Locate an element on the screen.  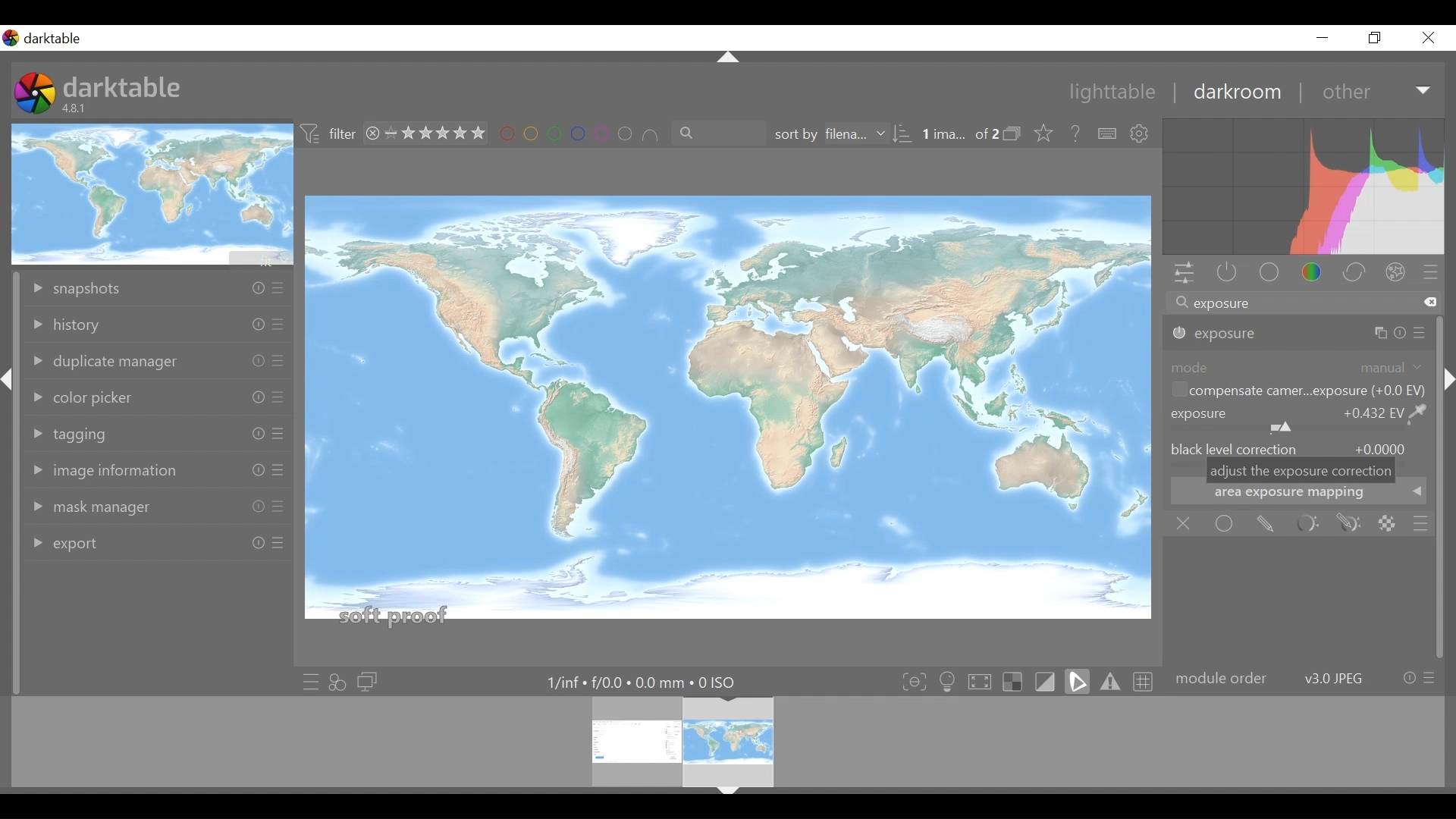
 is located at coordinates (278, 435).